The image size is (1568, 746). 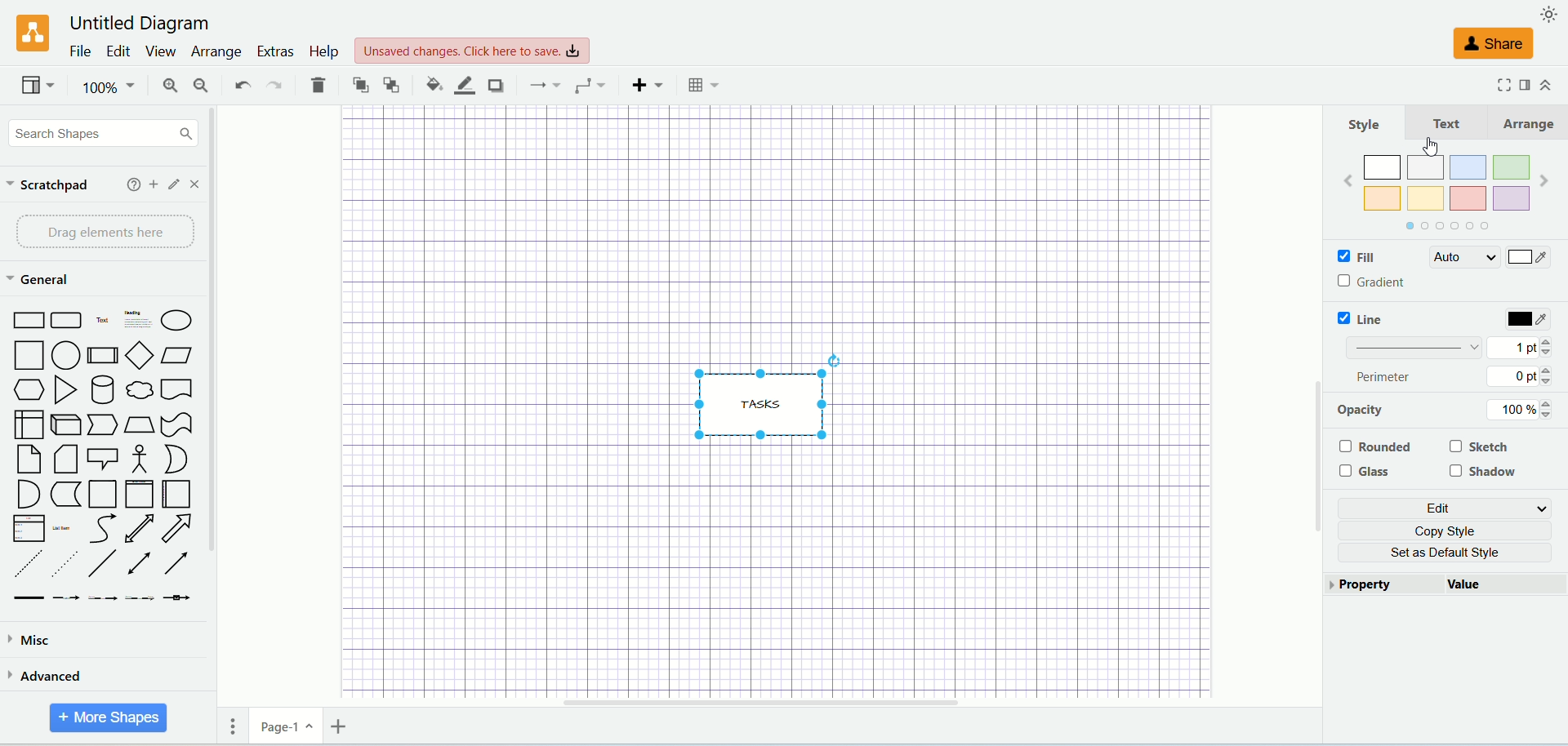 What do you see at coordinates (1531, 257) in the screenshot?
I see `color` at bounding box center [1531, 257].